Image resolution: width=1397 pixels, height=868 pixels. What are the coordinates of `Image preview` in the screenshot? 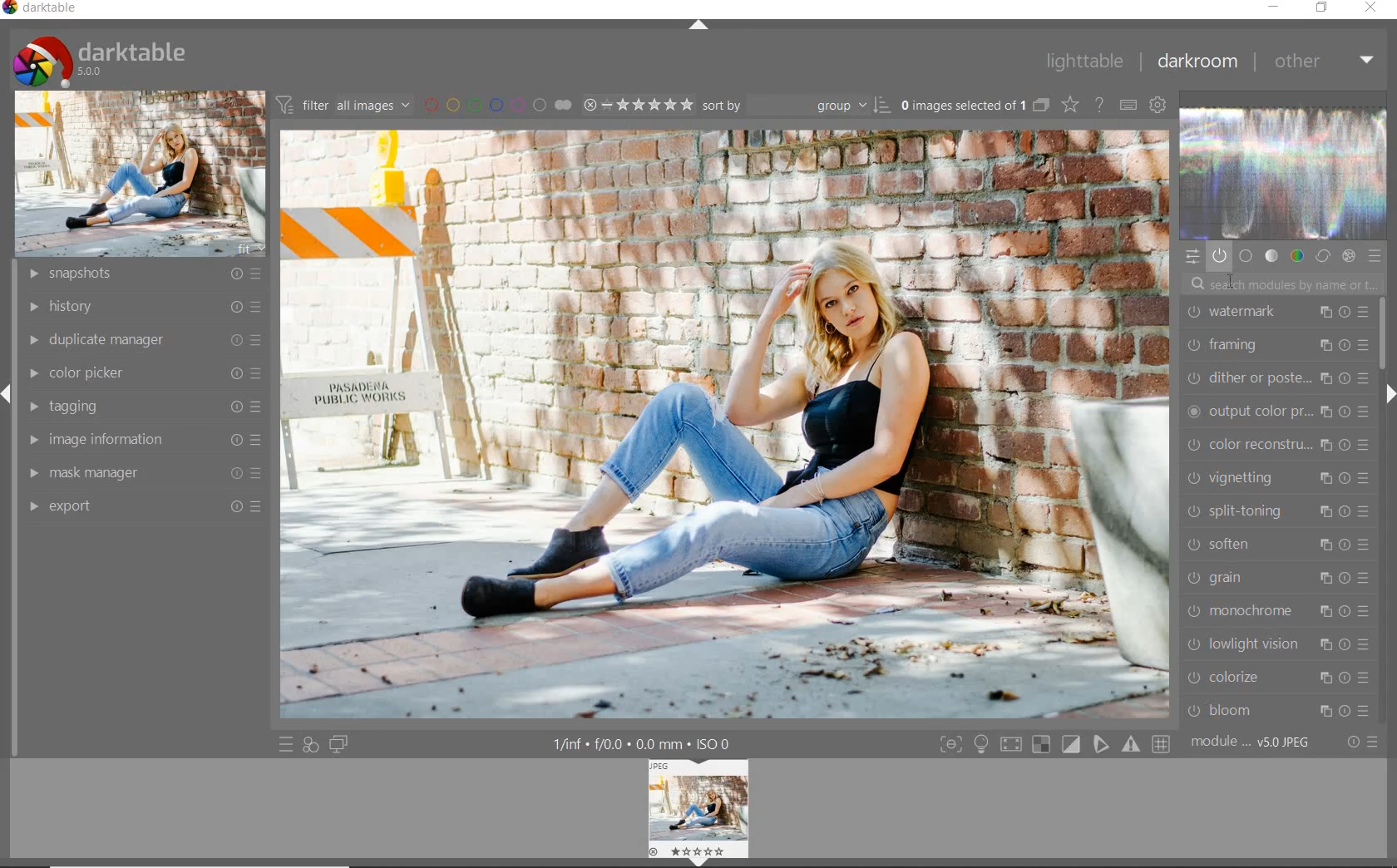 It's located at (696, 813).